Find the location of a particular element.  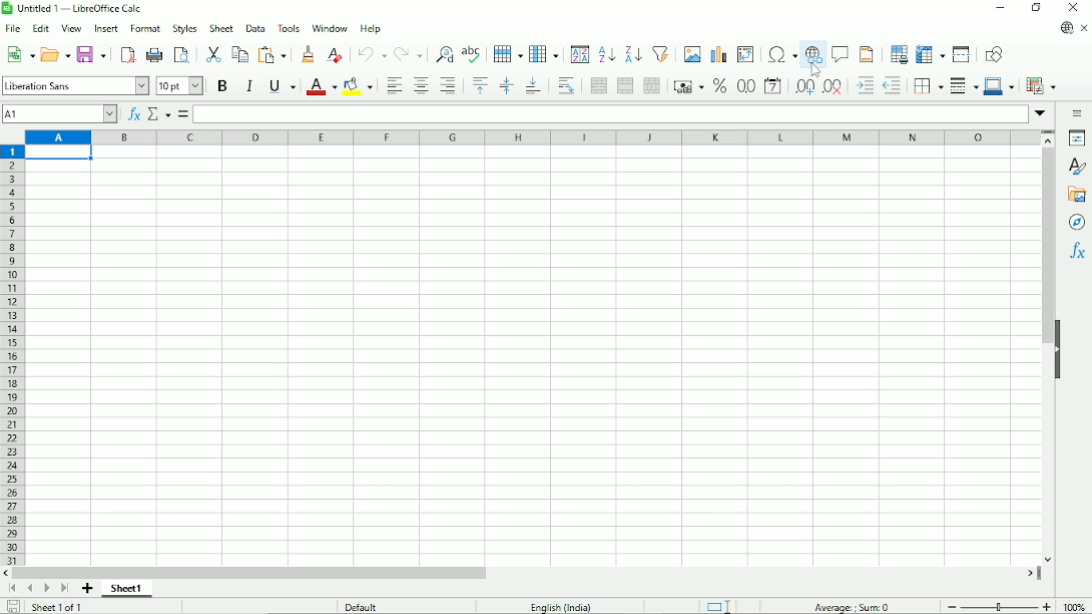

Format as currency is located at coordinates (688, 86).